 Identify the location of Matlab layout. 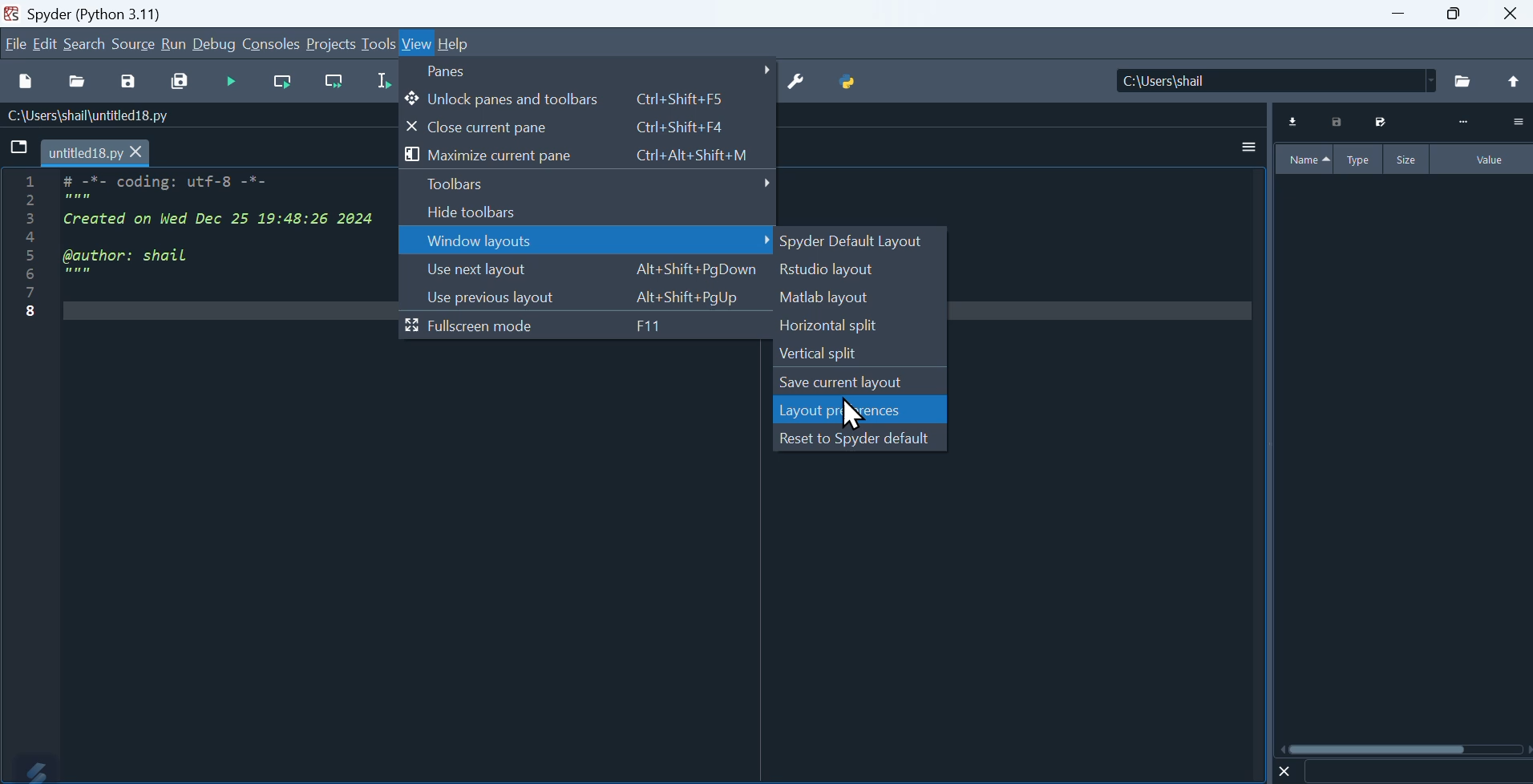
(861, 298).